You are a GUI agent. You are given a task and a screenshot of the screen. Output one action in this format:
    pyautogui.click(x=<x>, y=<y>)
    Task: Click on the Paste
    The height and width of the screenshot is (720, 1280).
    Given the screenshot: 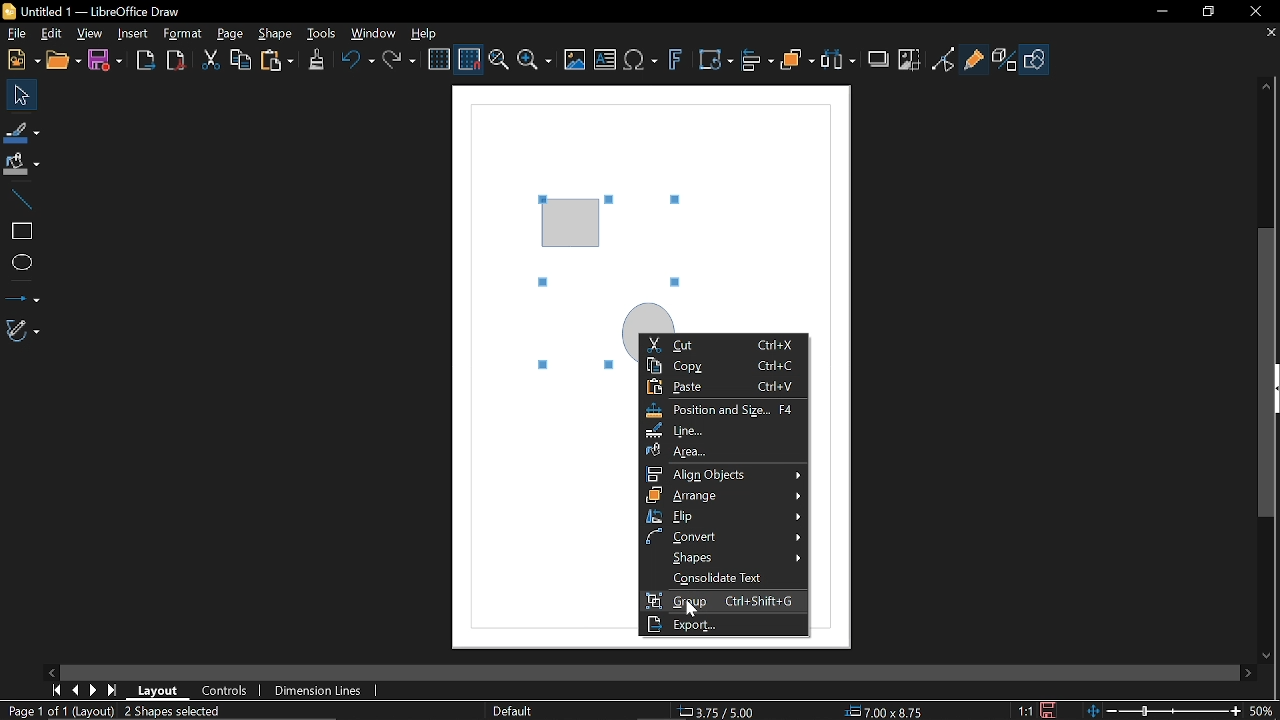 What is the action you would take?
    pyautogui.click(x=277, y=61)
    